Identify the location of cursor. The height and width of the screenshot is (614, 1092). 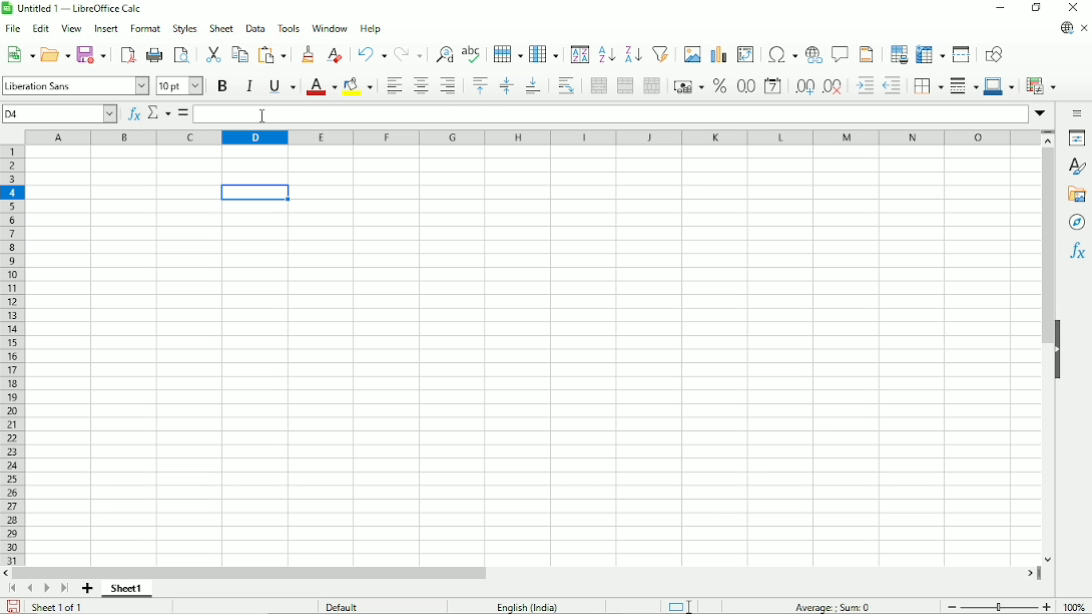
(262, 116).